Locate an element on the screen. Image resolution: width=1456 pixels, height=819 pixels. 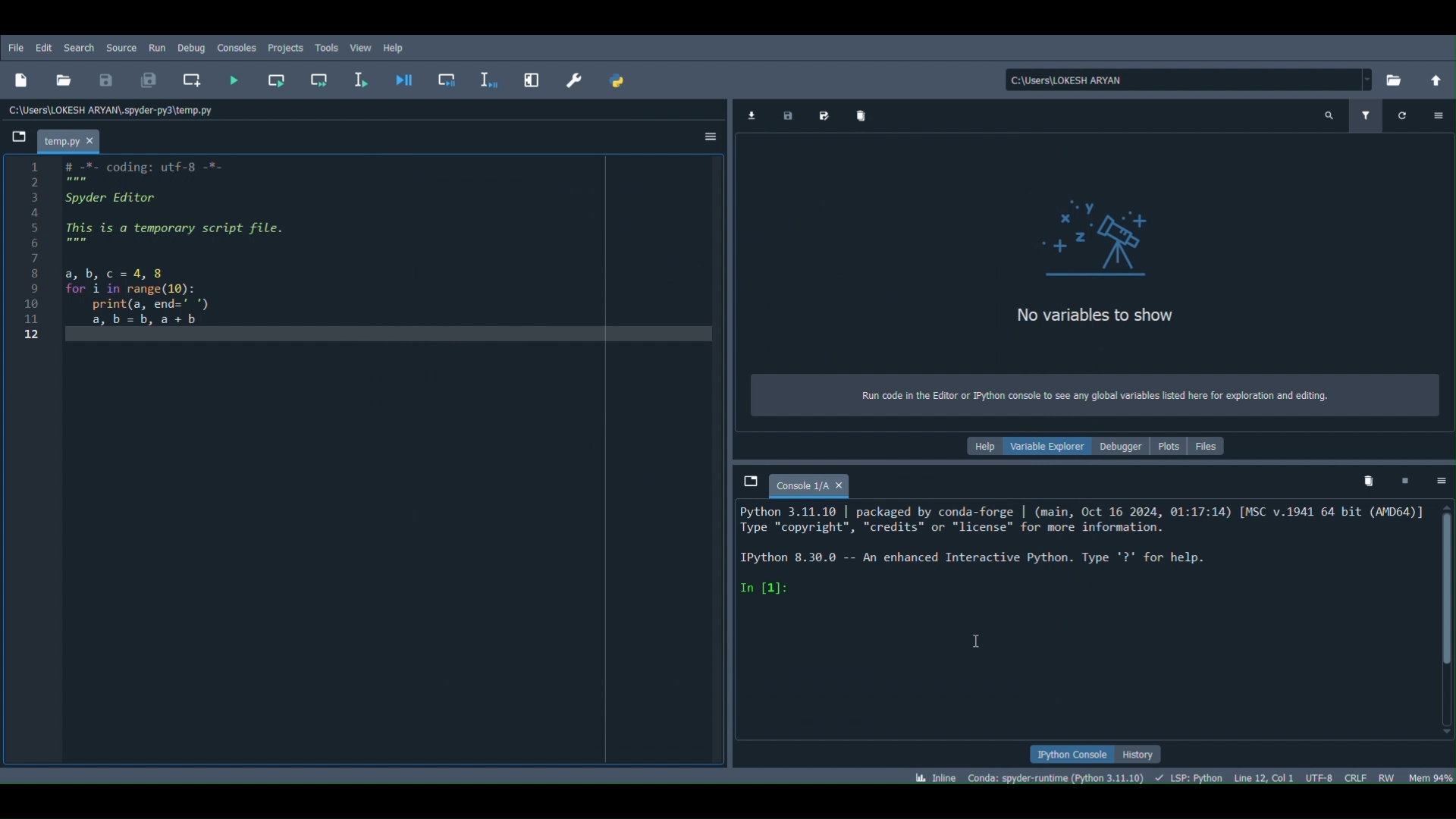
History is located at coordinates (1143, 752).